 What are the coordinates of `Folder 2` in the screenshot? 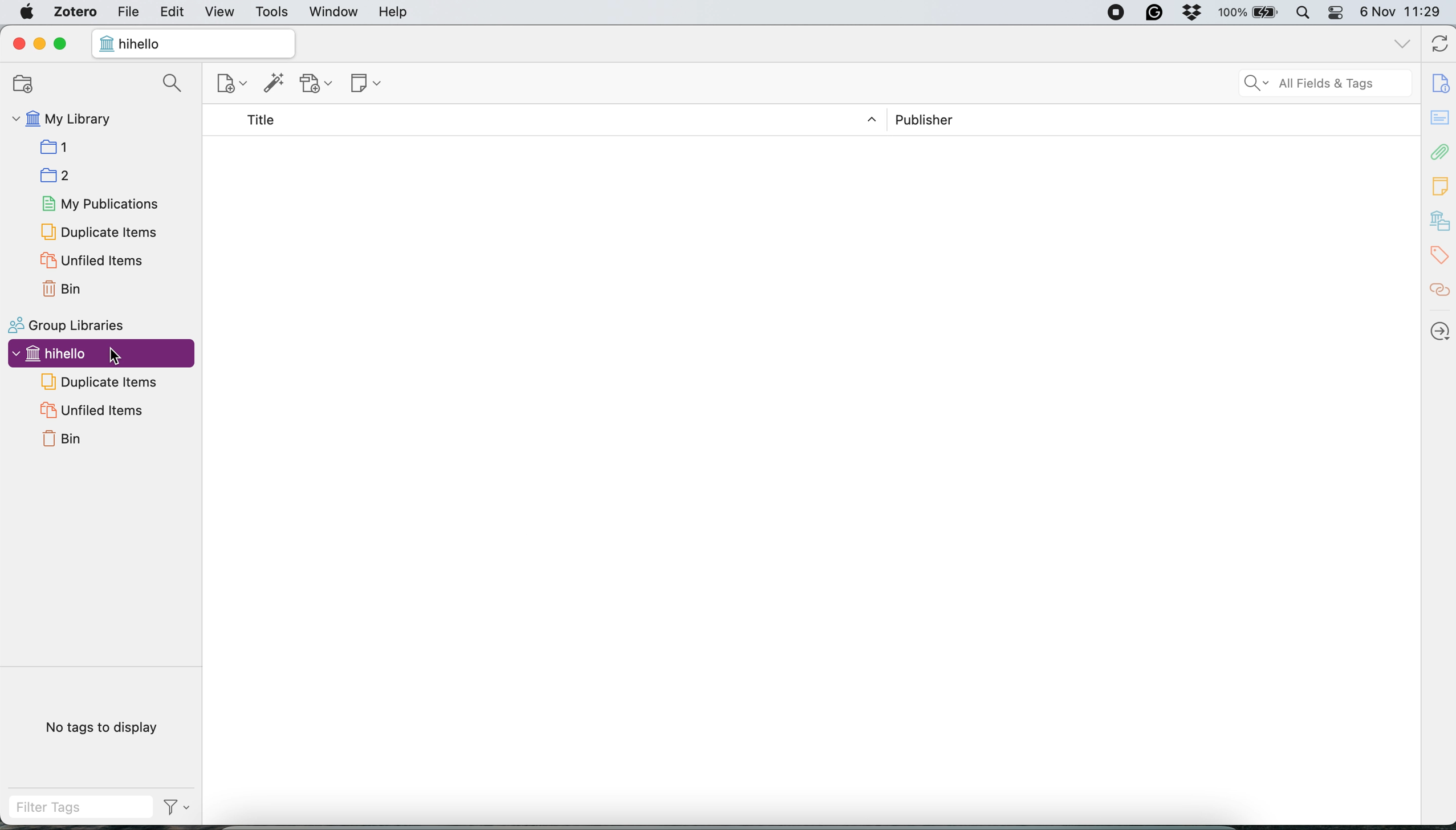 It's located at (57, 173).